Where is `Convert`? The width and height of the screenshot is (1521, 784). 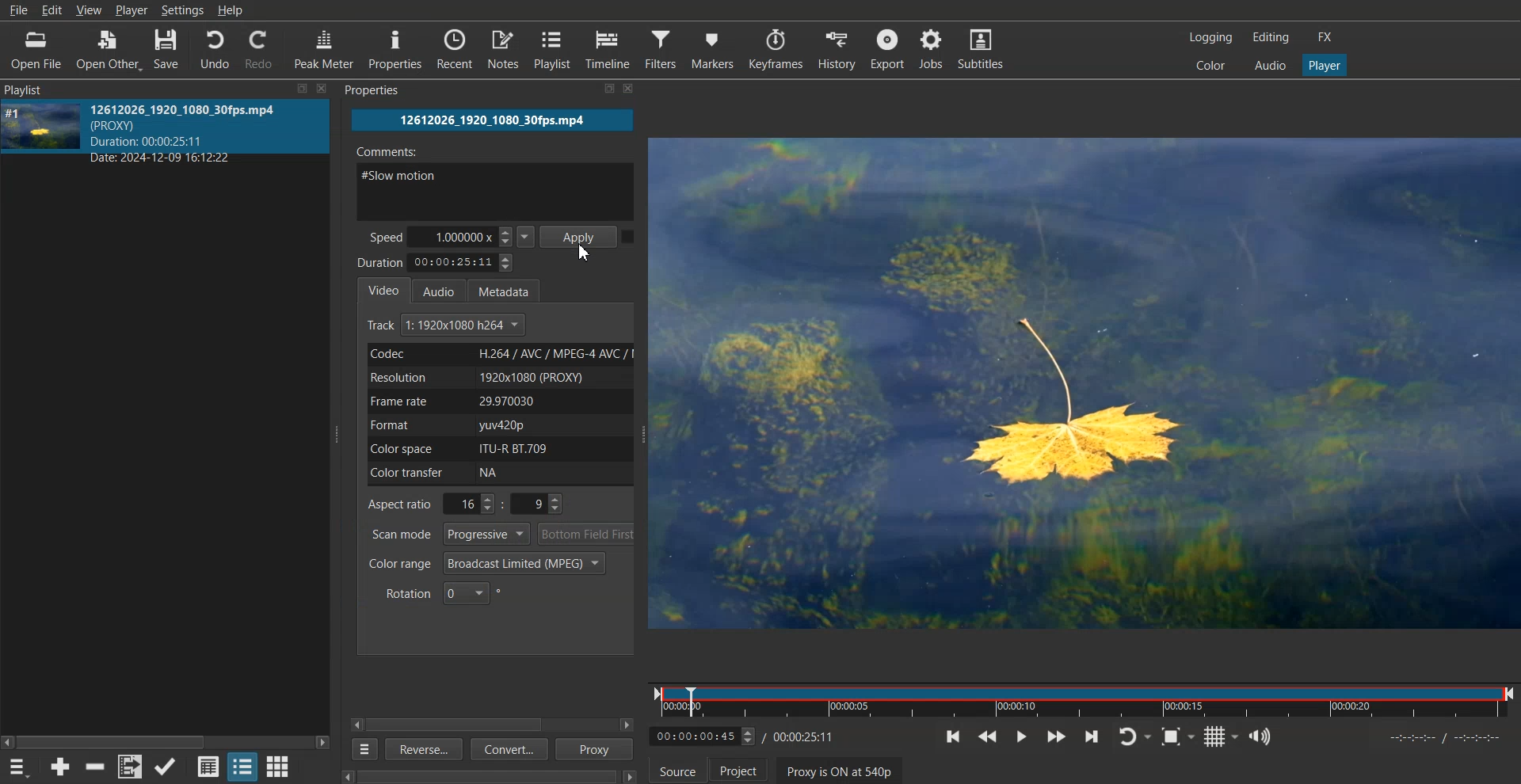 Convert is located at coordinates (507, 751).